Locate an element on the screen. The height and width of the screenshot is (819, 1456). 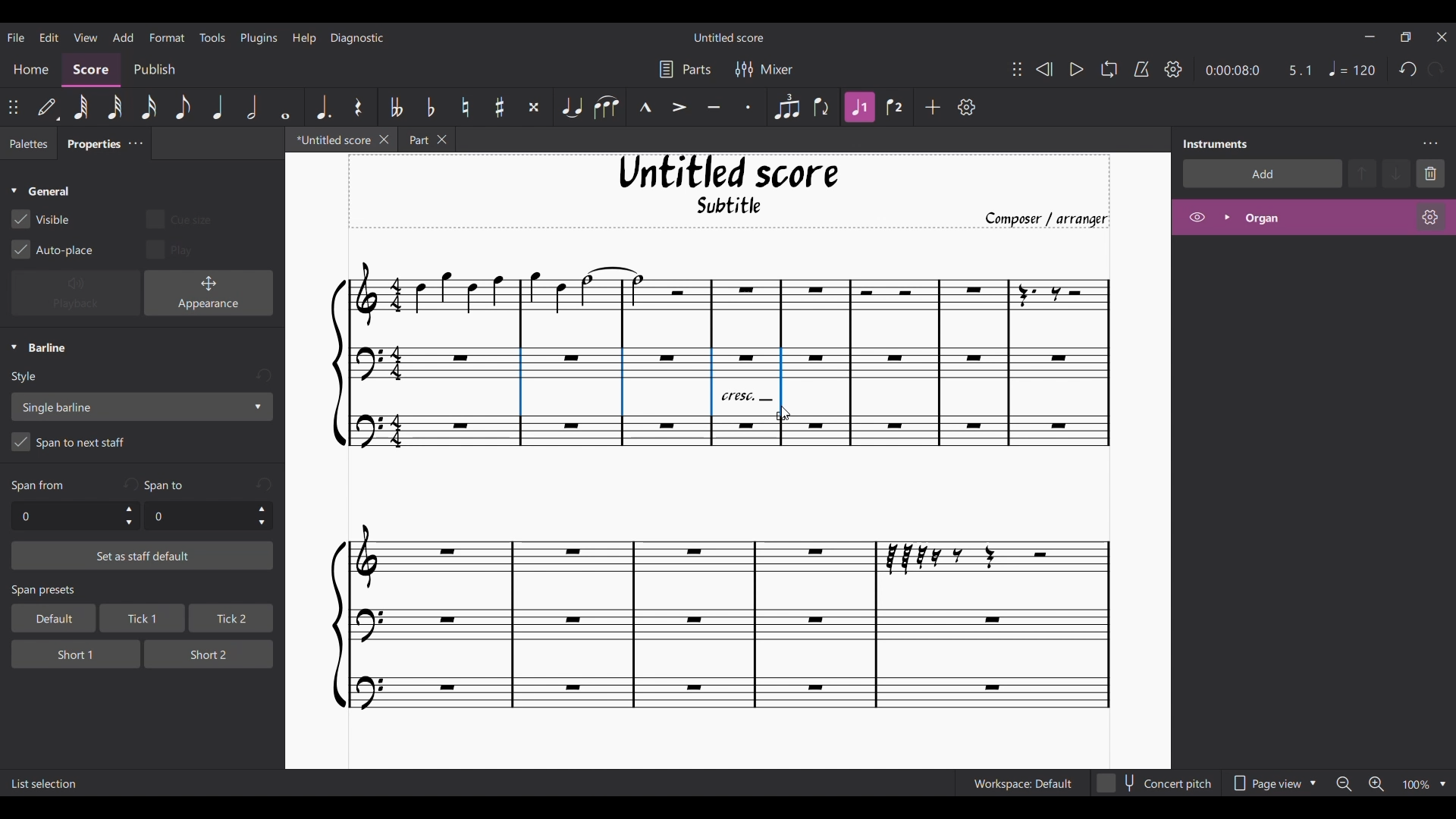
Whole note is located at coordinates (287, 106).